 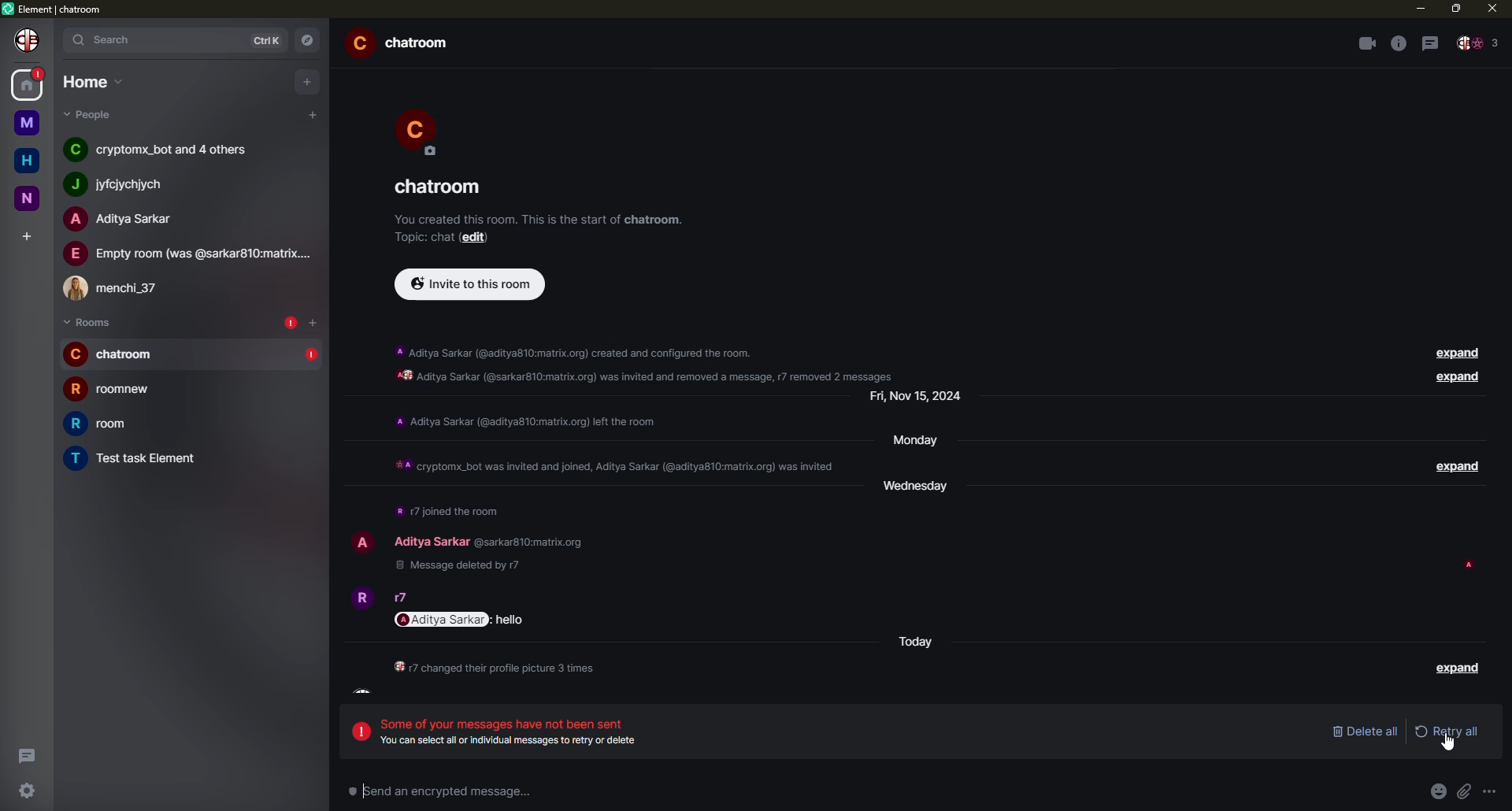 I want to click on people, so click(x=126, y=219).